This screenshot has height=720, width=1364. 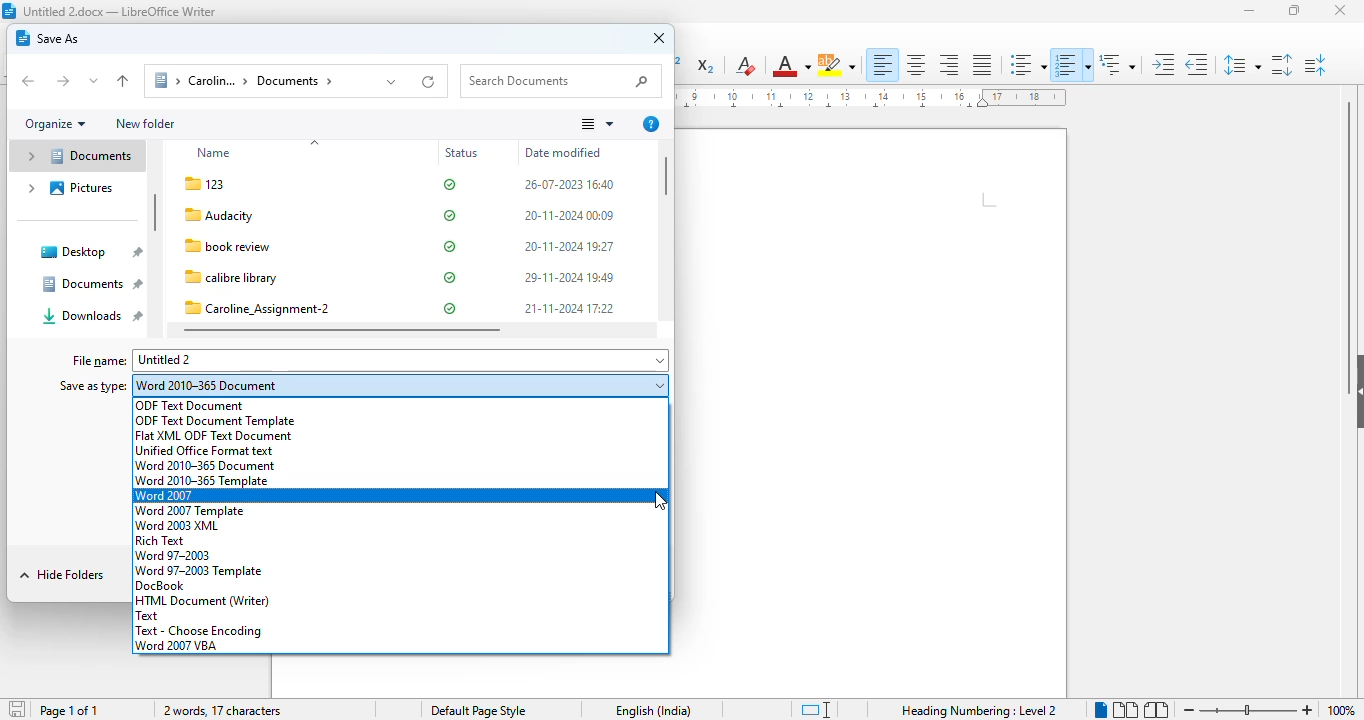 What do you see at coordinates (161, 541) in the screenshot?
I see `rich text` at bounding box center [161, 541].